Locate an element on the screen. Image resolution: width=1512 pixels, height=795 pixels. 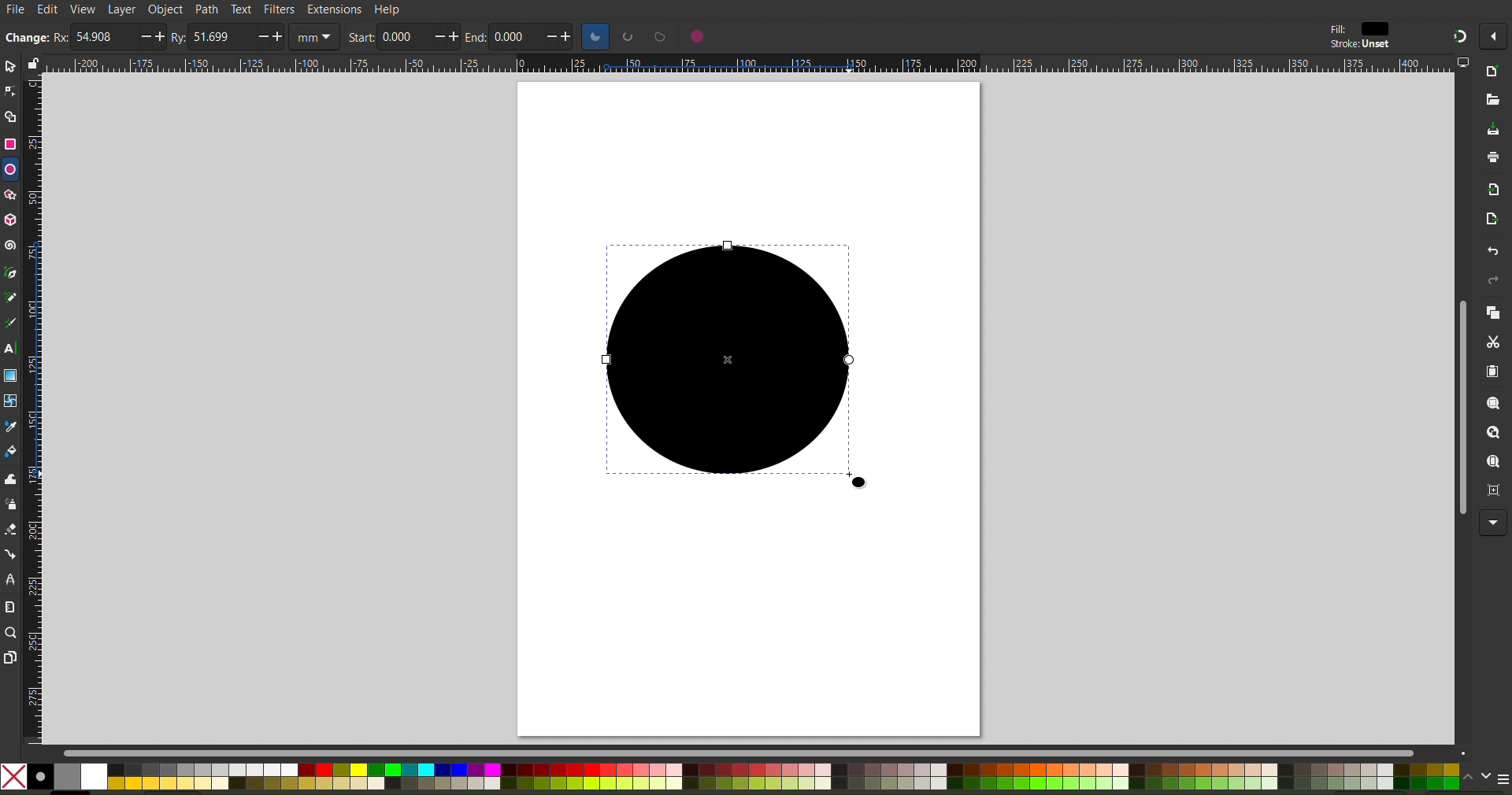
Select is located at coordinates (11, 66).